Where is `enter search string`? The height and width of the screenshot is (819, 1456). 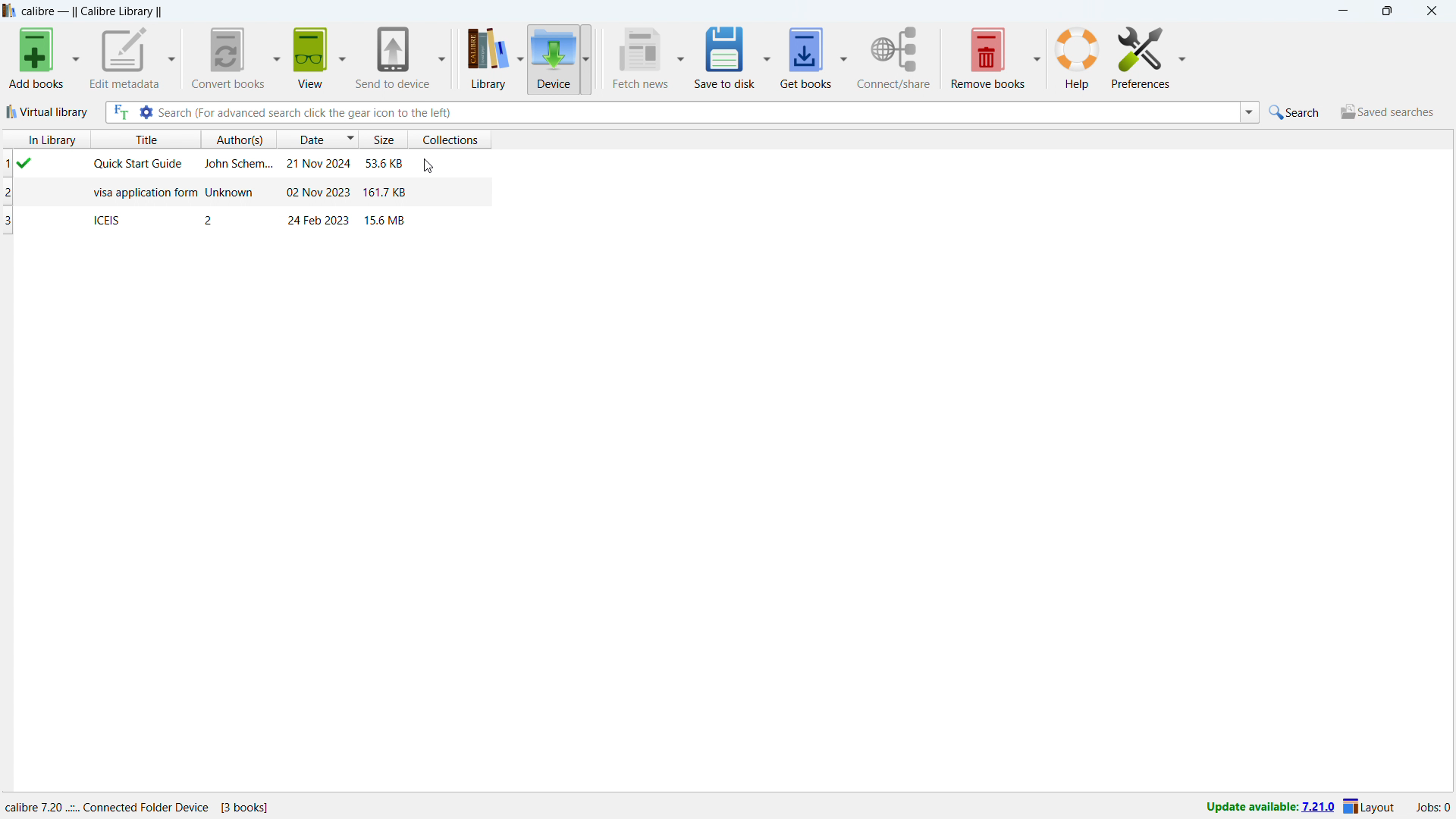
enter search string is located at coordinates (698, 112).